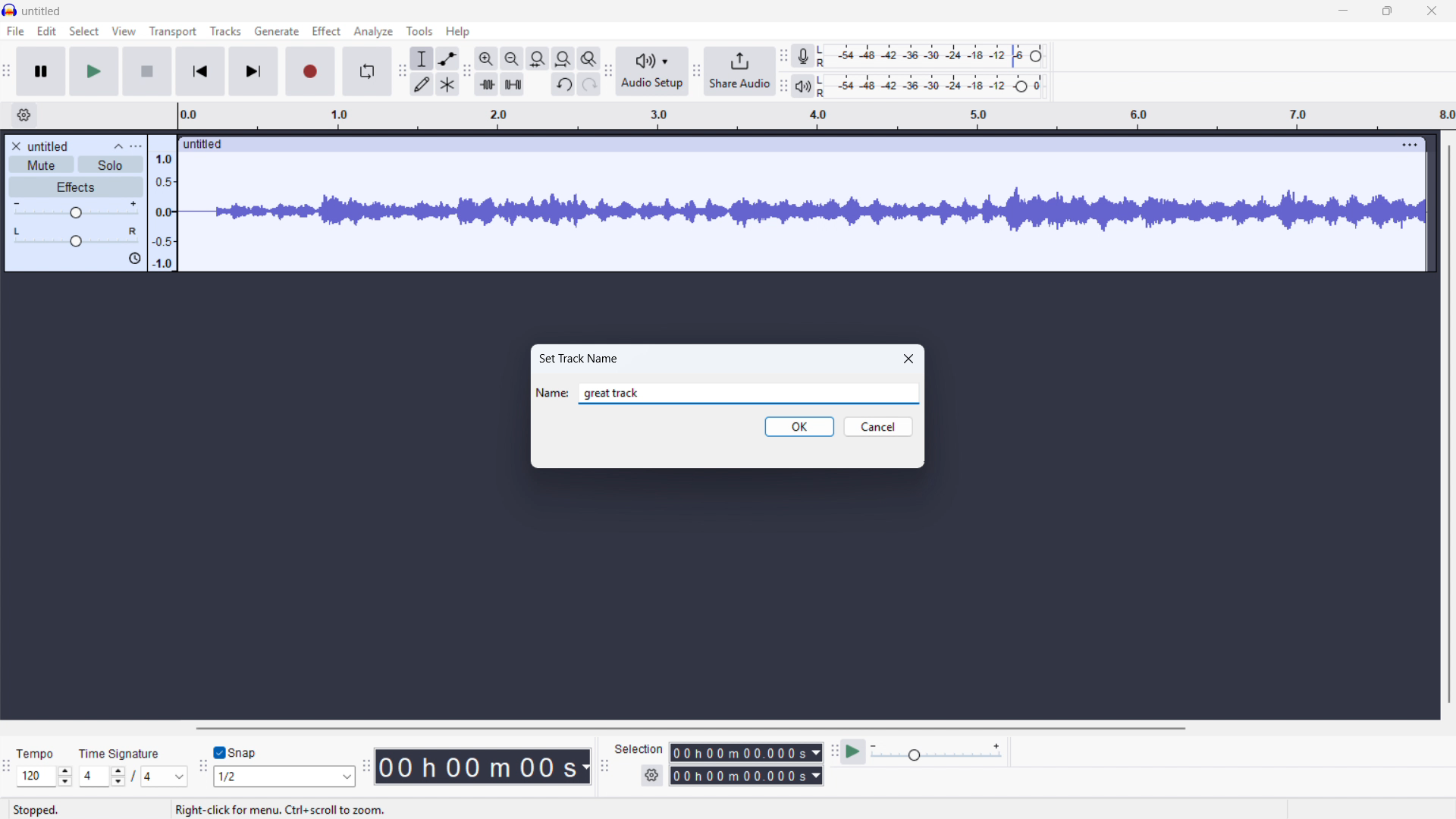 This screenshot has width=1456, height=819. What do you see at coordinates (44, 777) in the screenshot?
I see `Set tempo ` at bounding box center [44, 777].